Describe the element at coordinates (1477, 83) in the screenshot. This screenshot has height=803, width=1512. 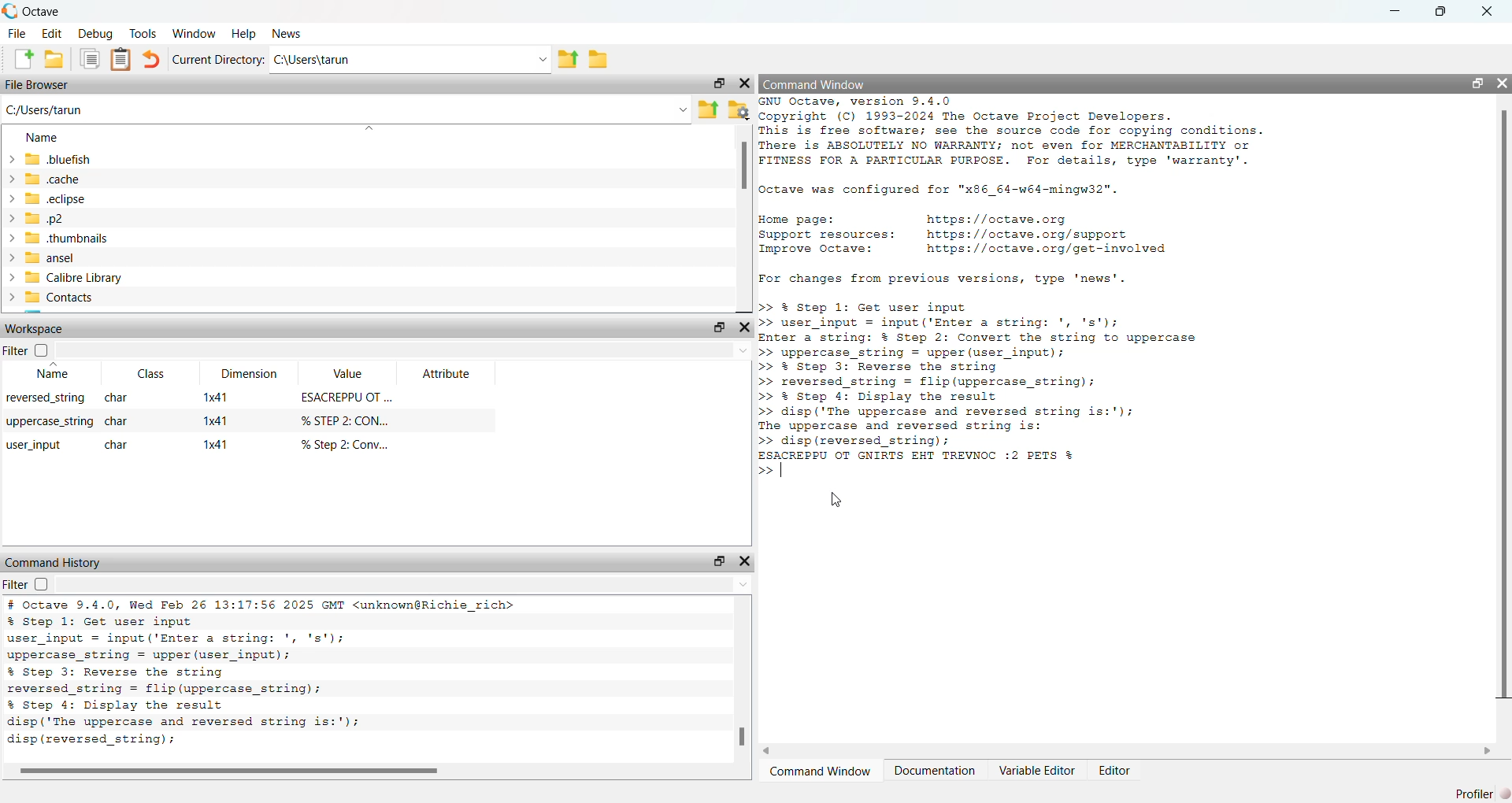
I see `unlock widget` at that location.